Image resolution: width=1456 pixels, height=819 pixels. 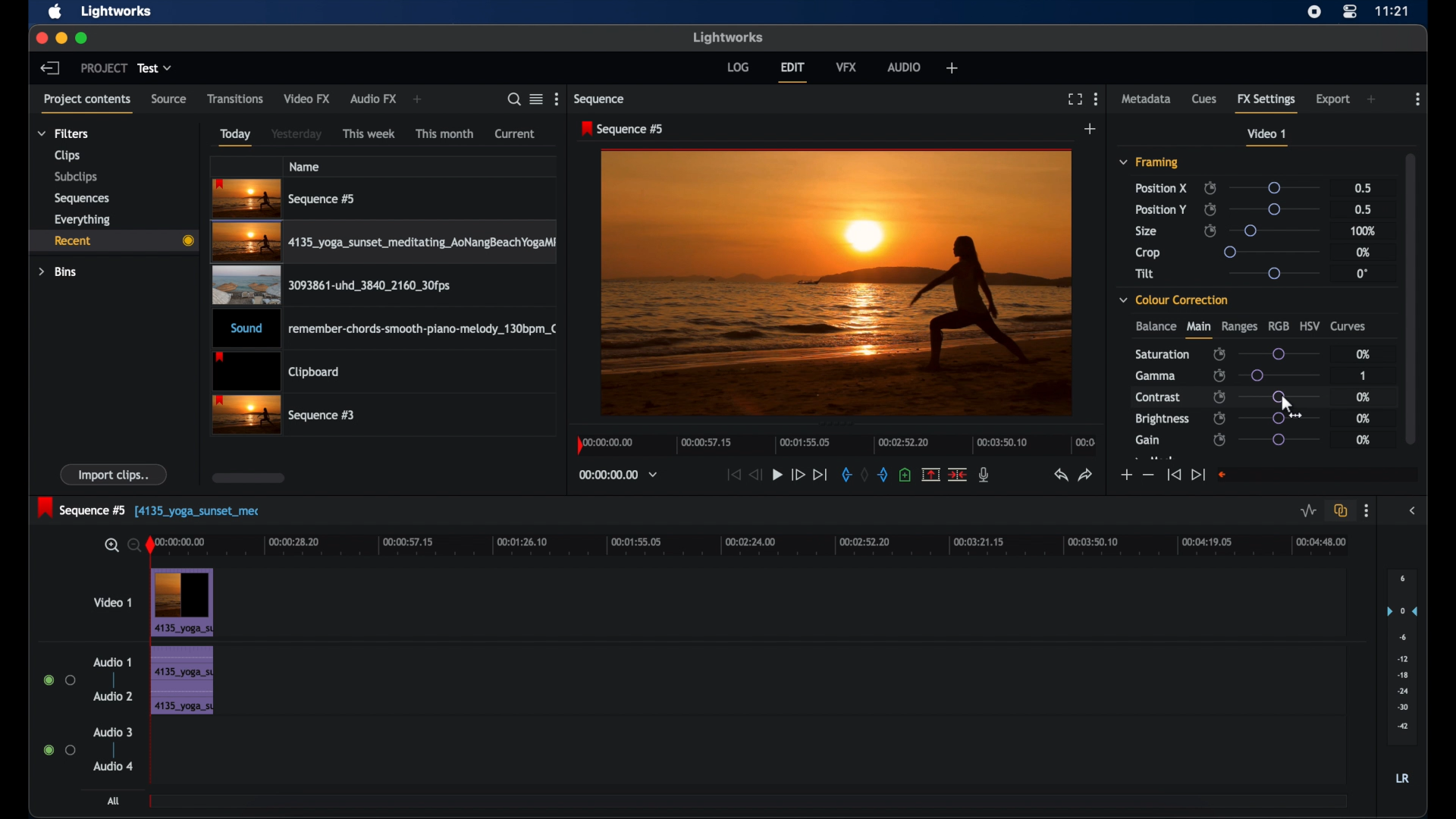 I want to click on jump to start, so click(x=732, y=474).